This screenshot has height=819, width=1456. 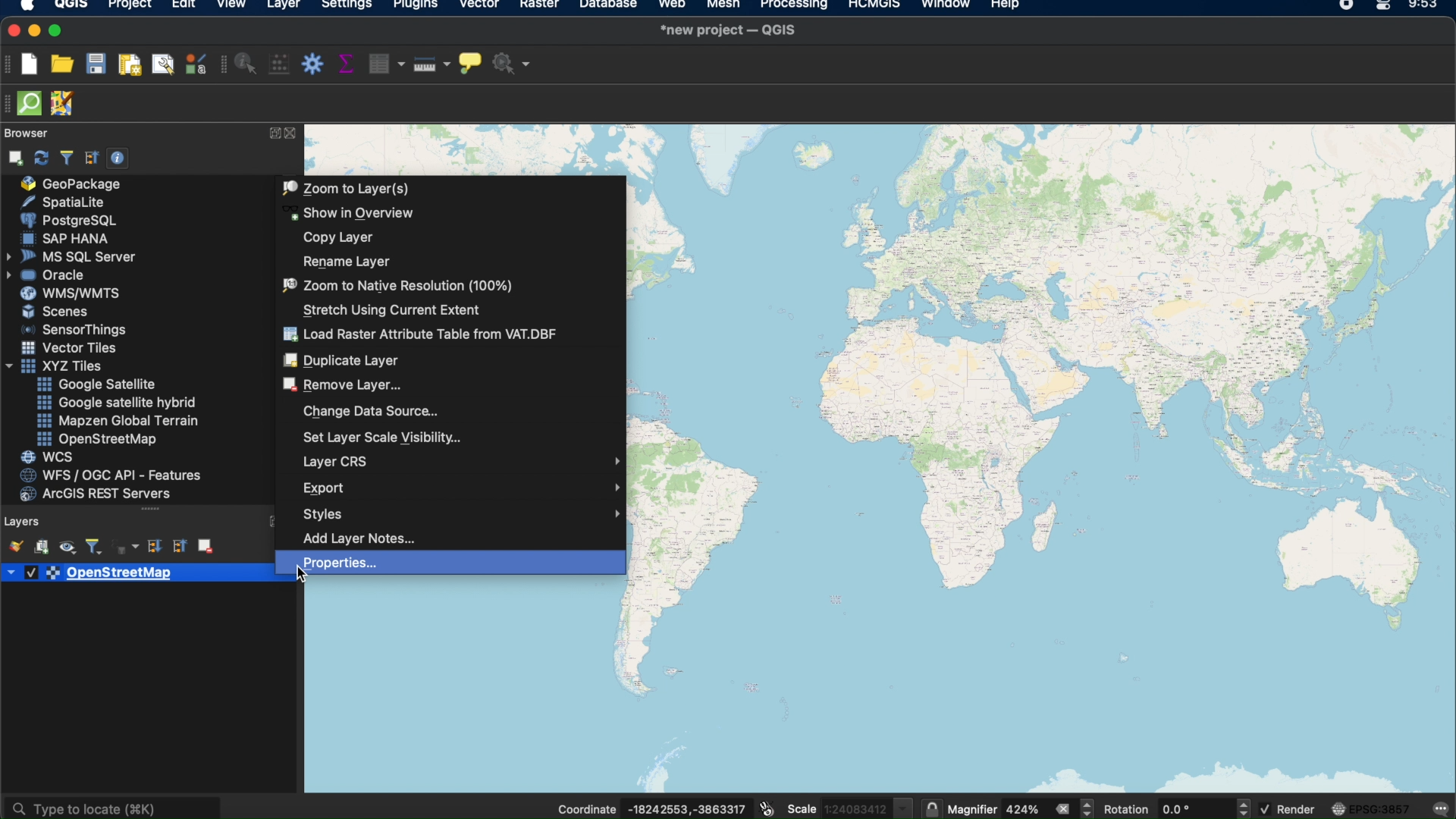 What do you see at coordinates (102, 384) in the screenshot?
I see `google satellite` at bounding box center [102, 384].